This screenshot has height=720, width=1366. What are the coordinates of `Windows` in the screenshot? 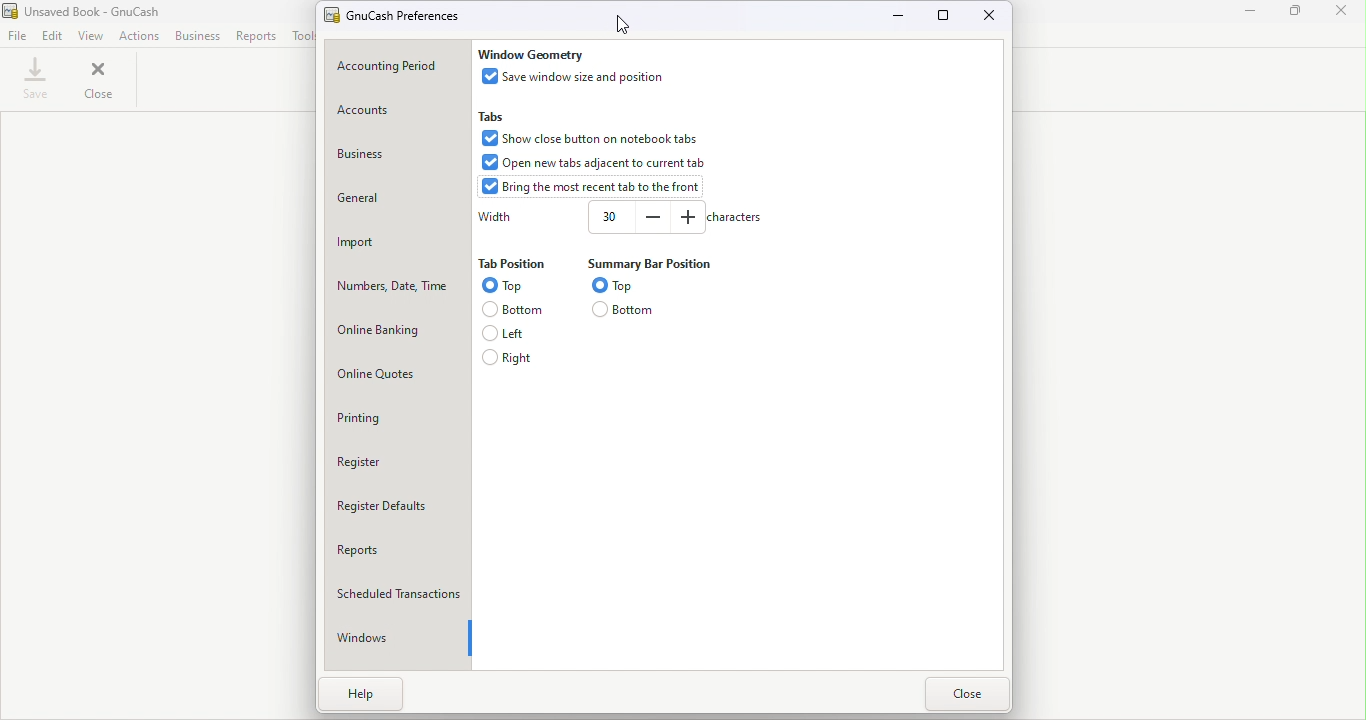 It's located at (393, 638).